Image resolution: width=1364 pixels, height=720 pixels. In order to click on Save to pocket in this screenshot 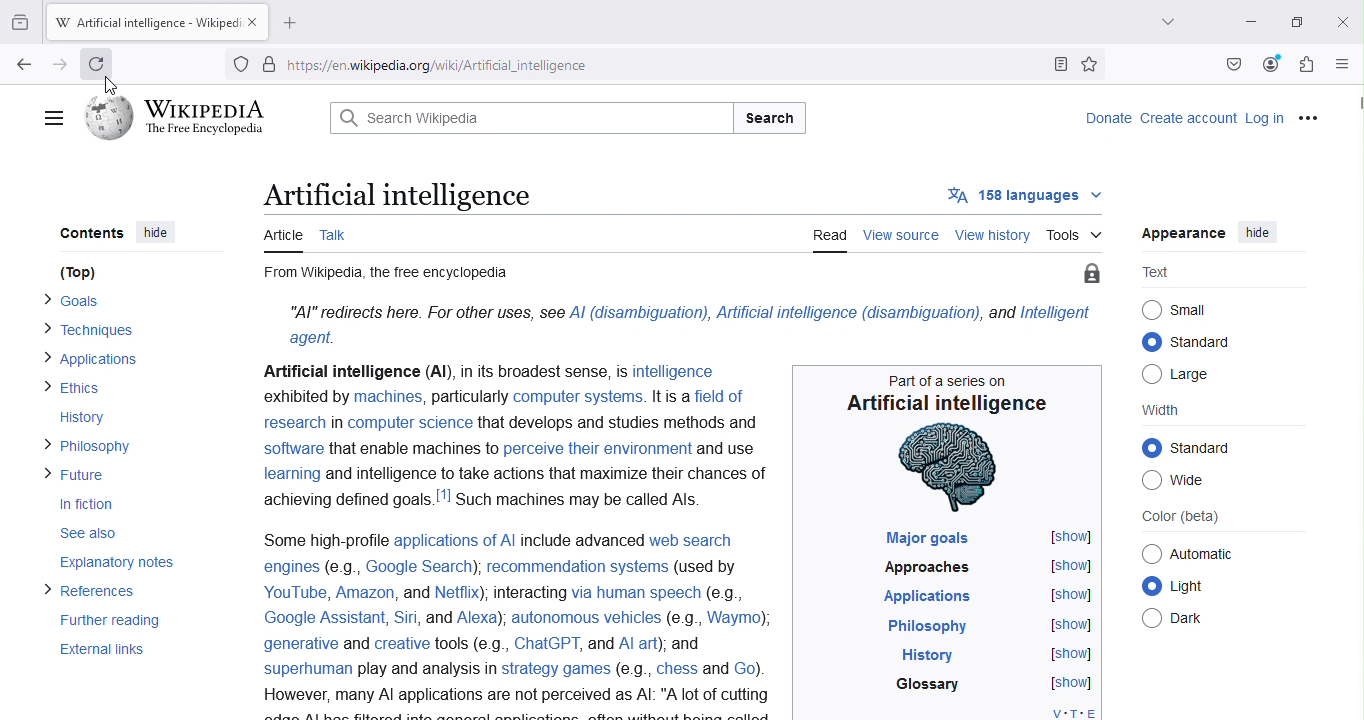, I will do `click(1231, 65)`.